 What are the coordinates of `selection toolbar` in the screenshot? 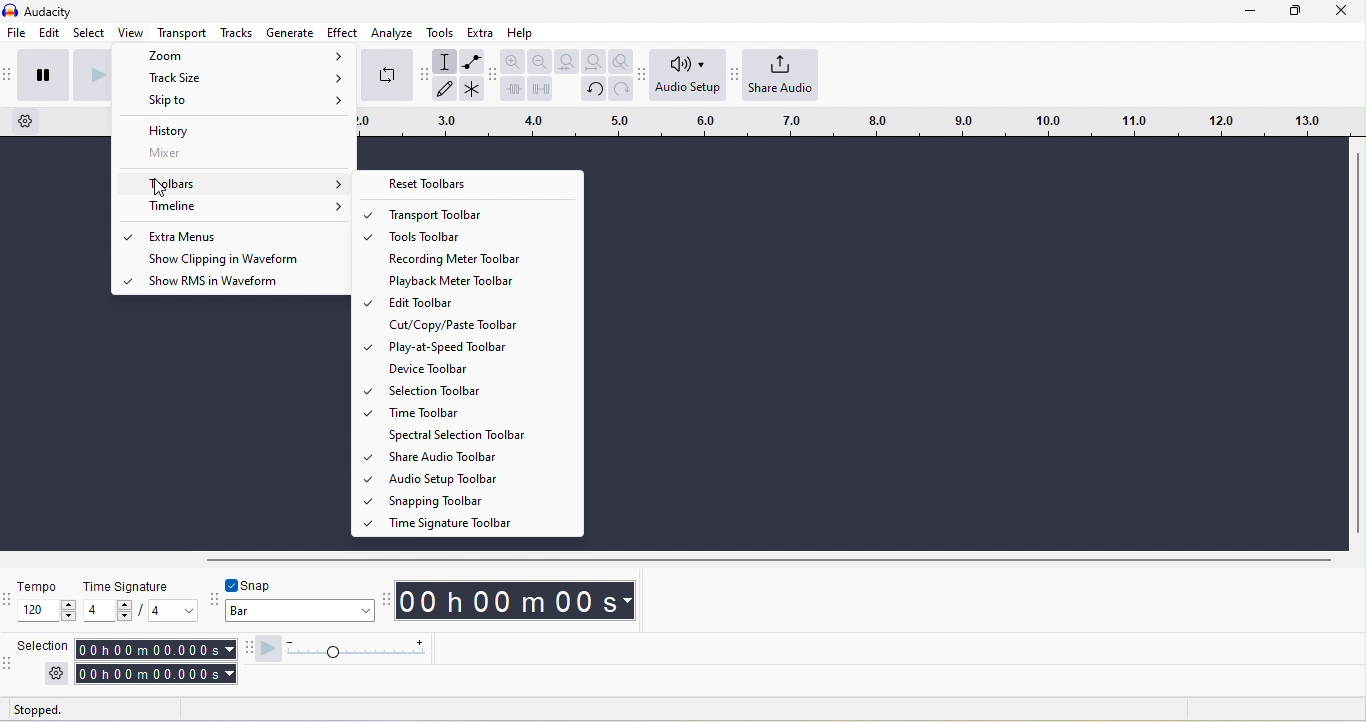 It's located at (8, 668).